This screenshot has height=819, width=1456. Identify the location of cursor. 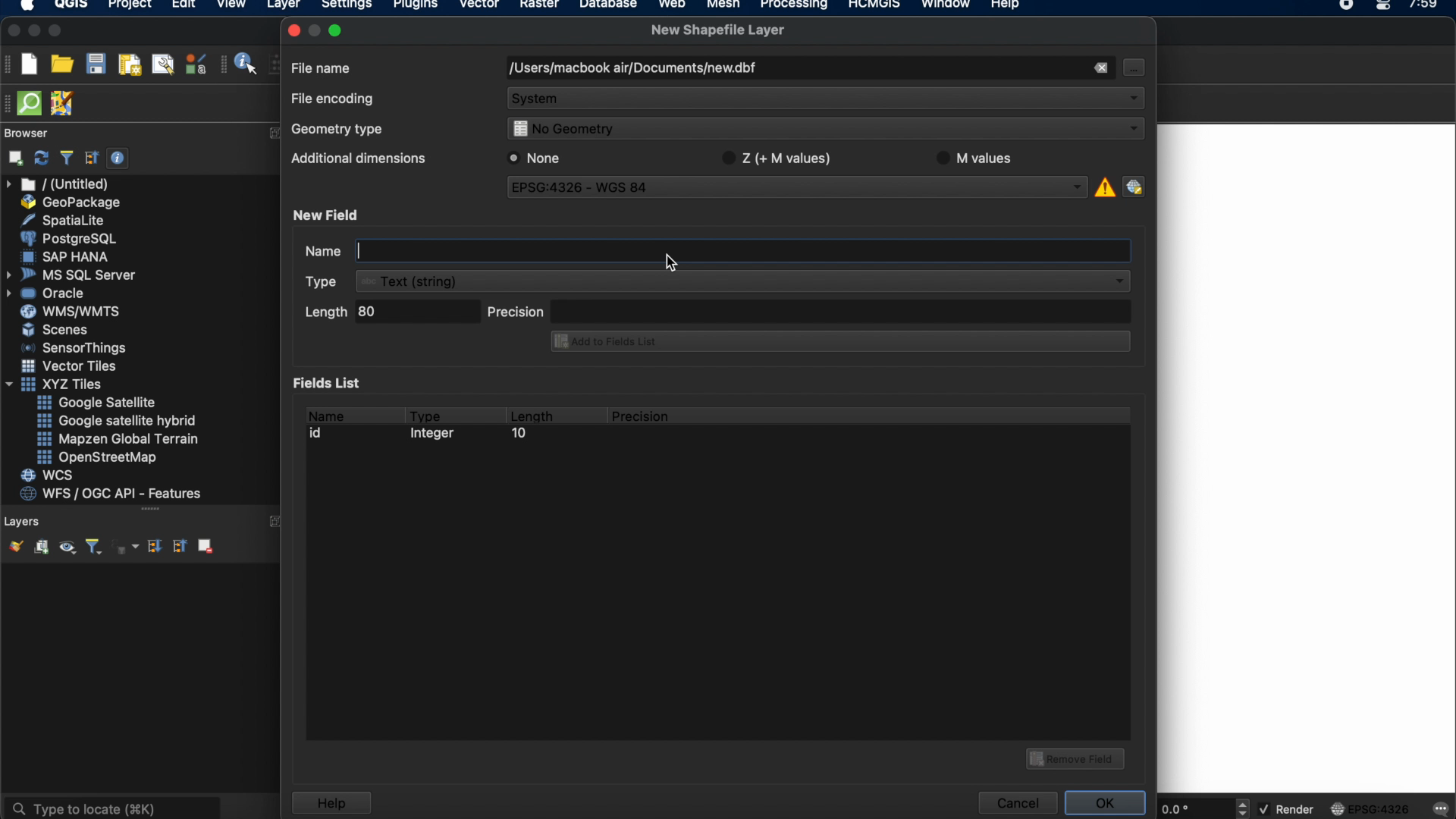
(680, 264).